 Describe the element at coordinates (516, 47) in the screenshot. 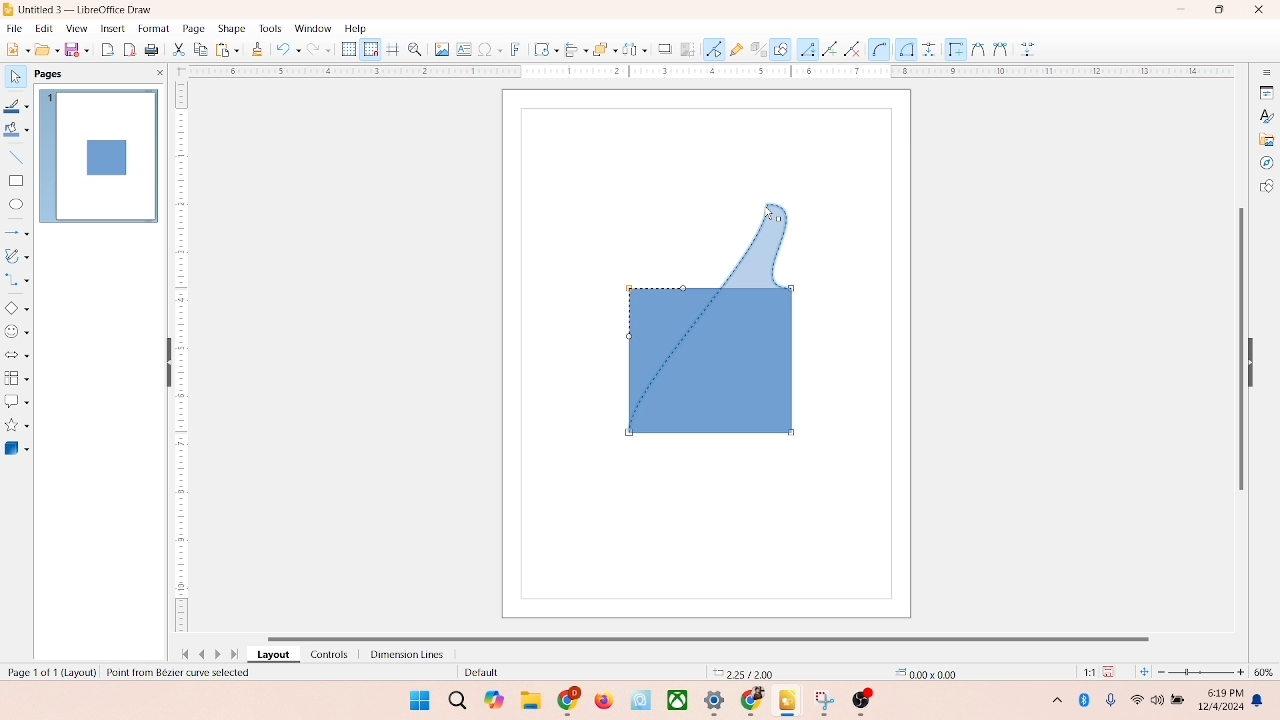

I see `fontwork text` at that location.